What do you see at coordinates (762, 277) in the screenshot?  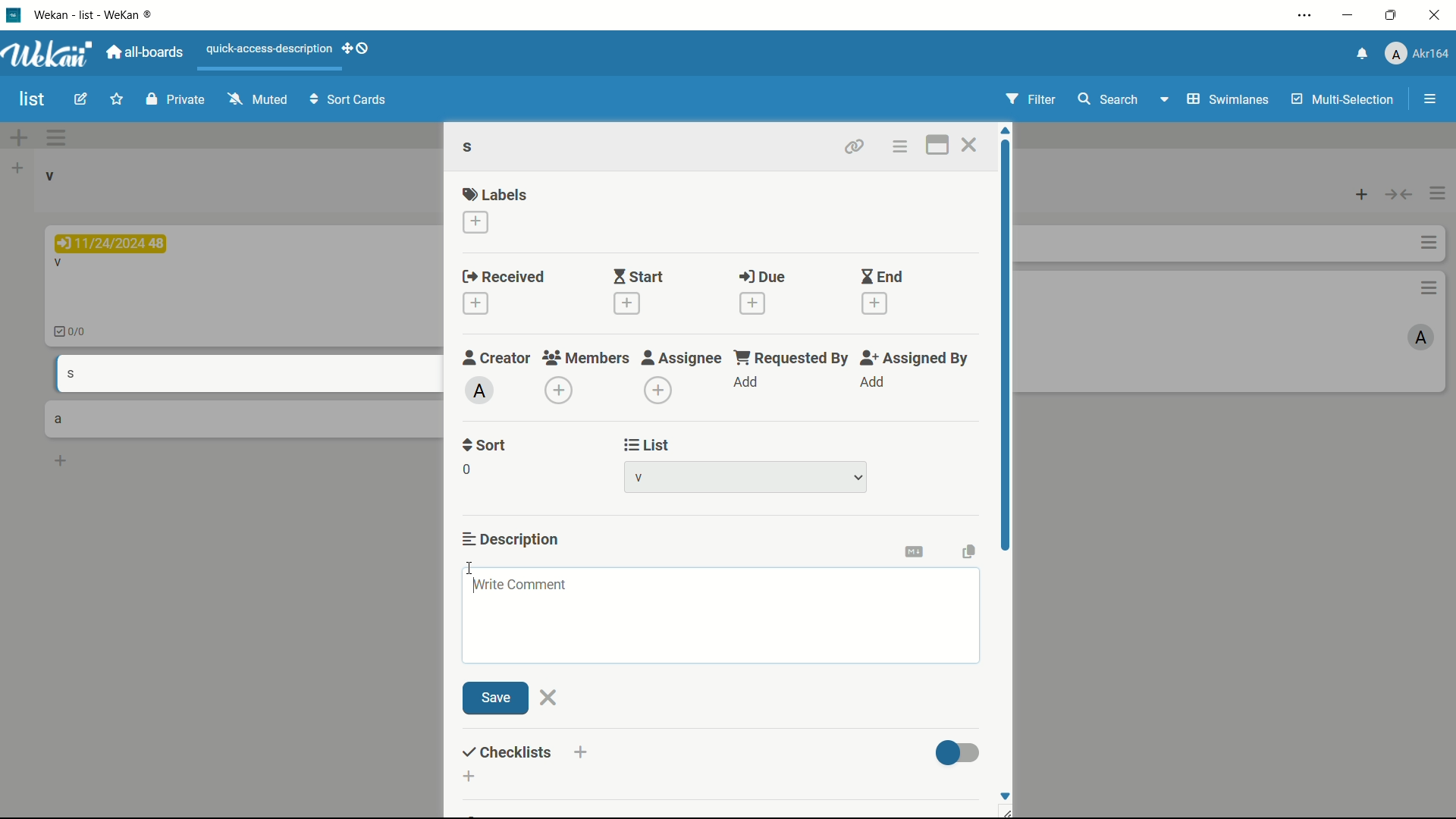 I see `due` at bounding box center [762, 277].